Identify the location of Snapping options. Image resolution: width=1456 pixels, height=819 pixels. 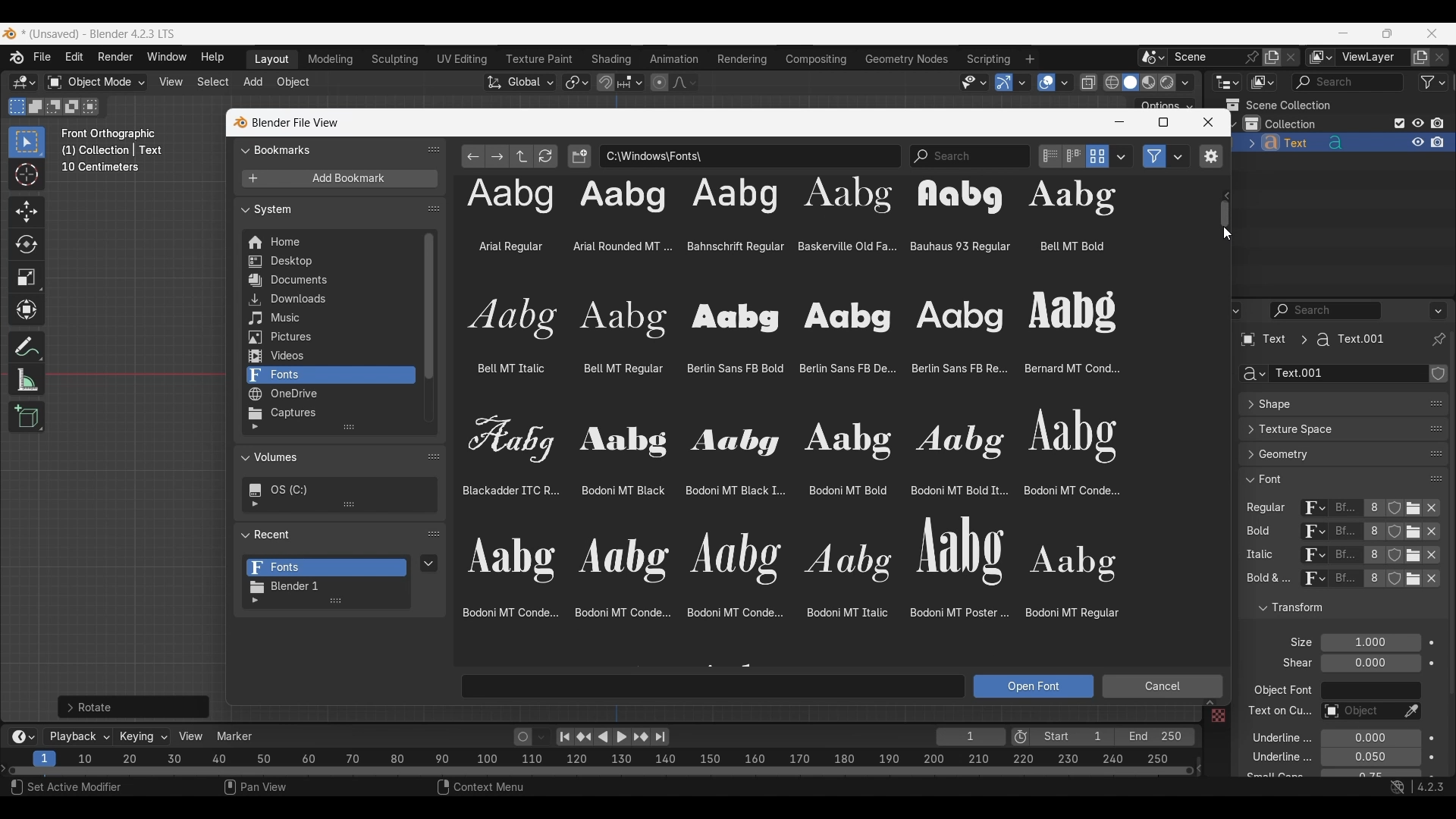
(632, 82).